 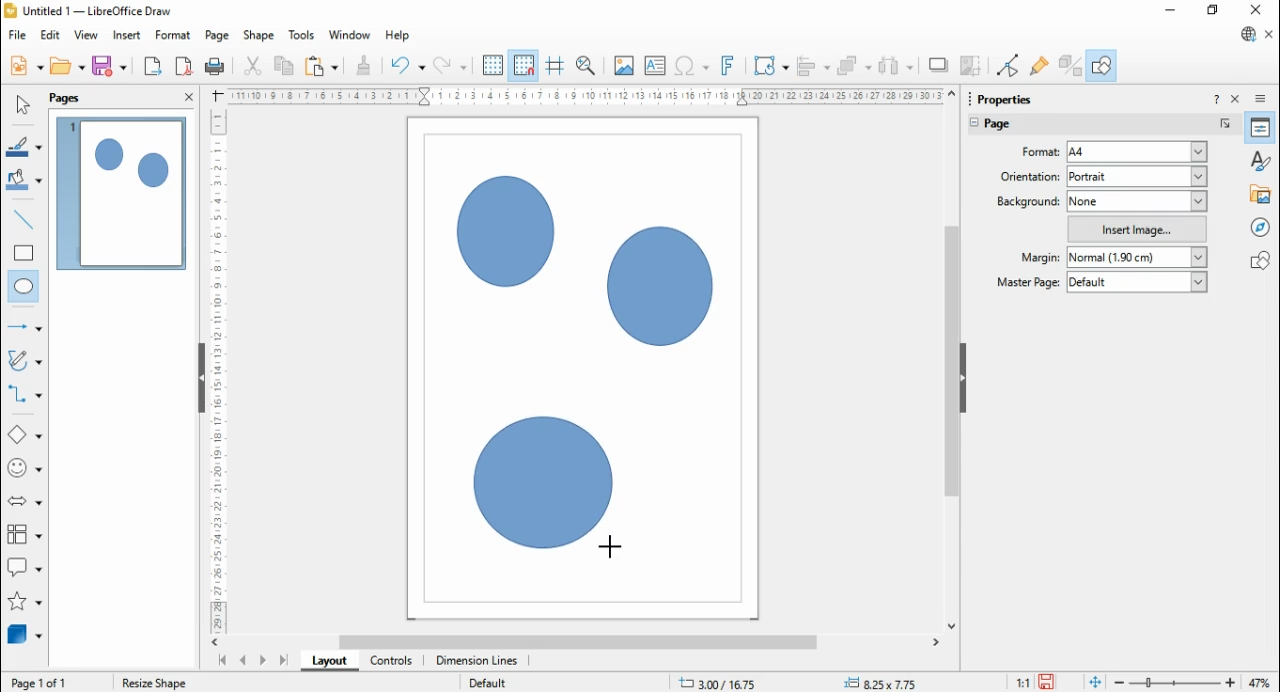 What do you see at coordinates (504, 233) in the screenshot?
I see `Circle shape` at bounding box center [504, 233].